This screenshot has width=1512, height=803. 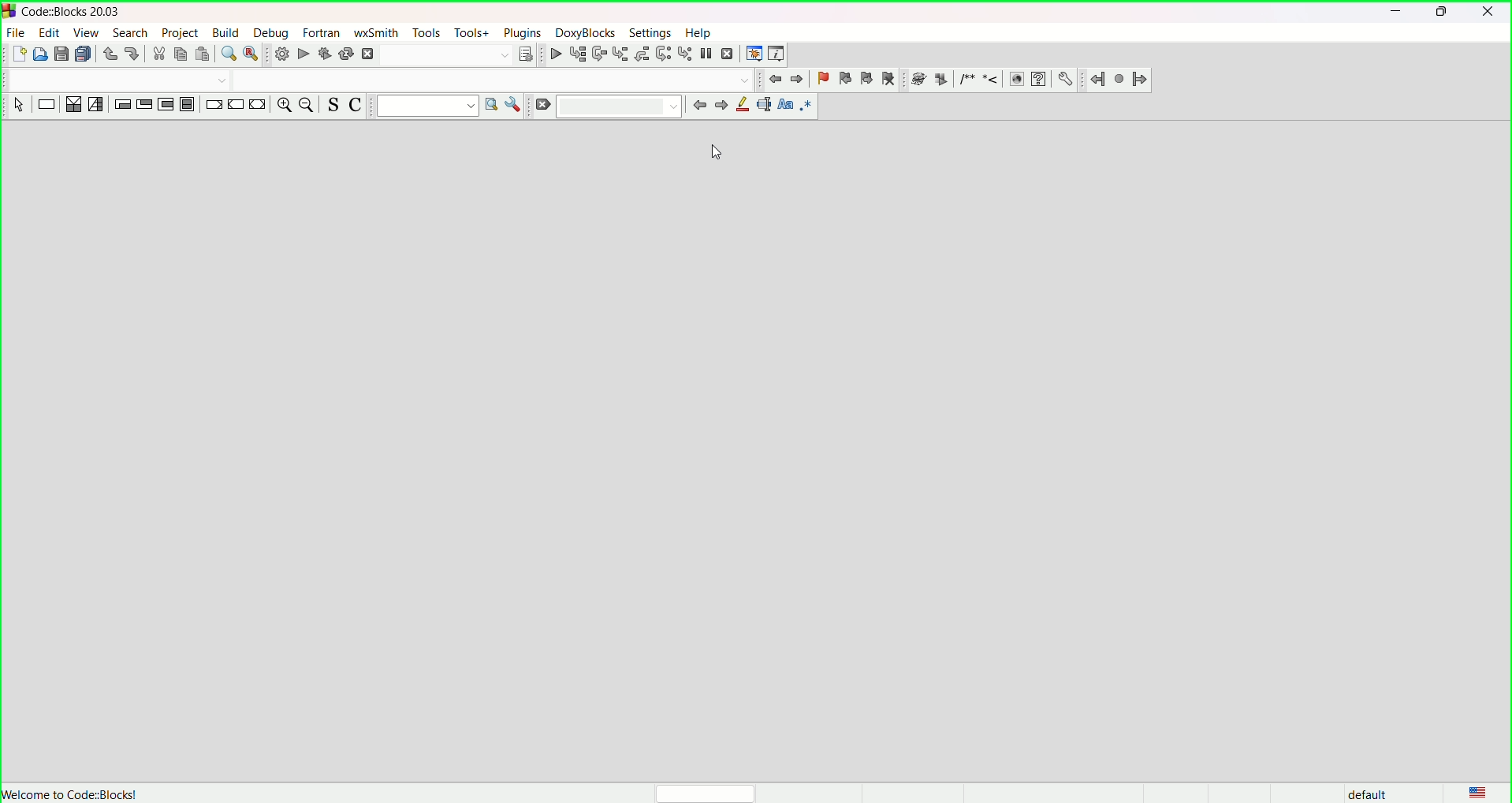 What do you see at coordinates (940, 80) in the screenshot?
I see `Extract` at bounding box center [940, 80].